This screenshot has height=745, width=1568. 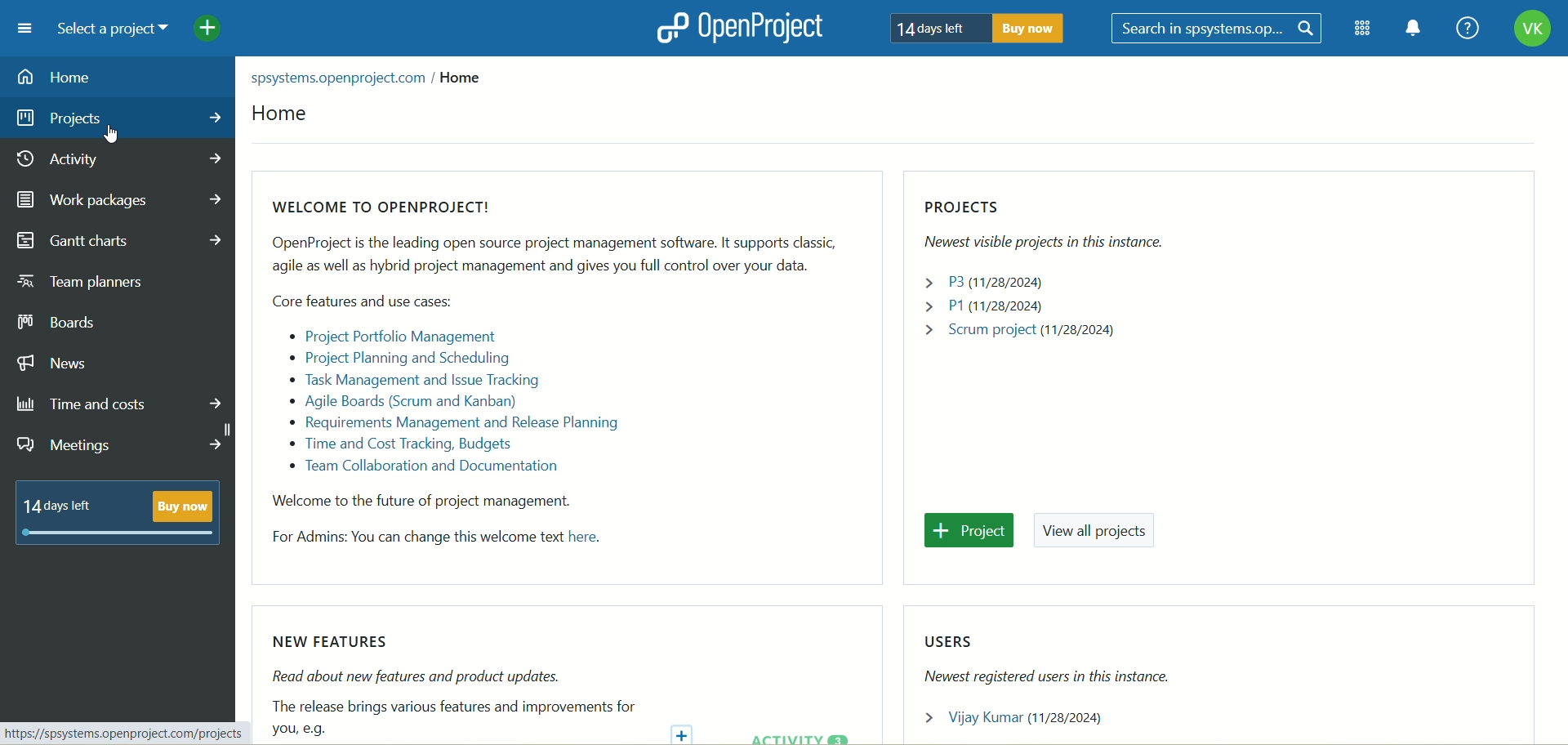 What do you see at coordinates (1102, 533) in the screenshot?
I see `view all projects` at bounding box center [1102, 533].